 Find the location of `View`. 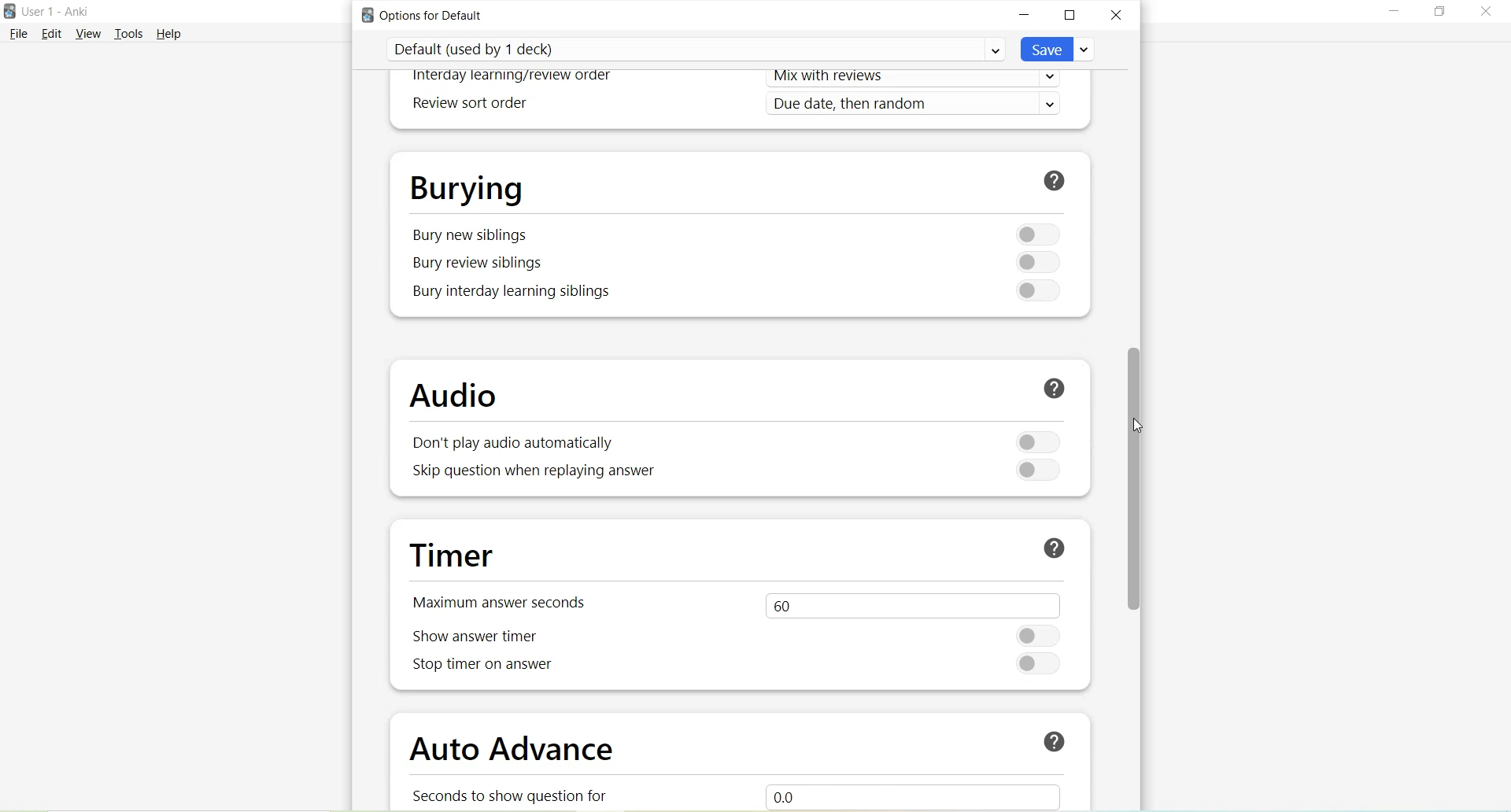

View is located at coordinates (91, 33).